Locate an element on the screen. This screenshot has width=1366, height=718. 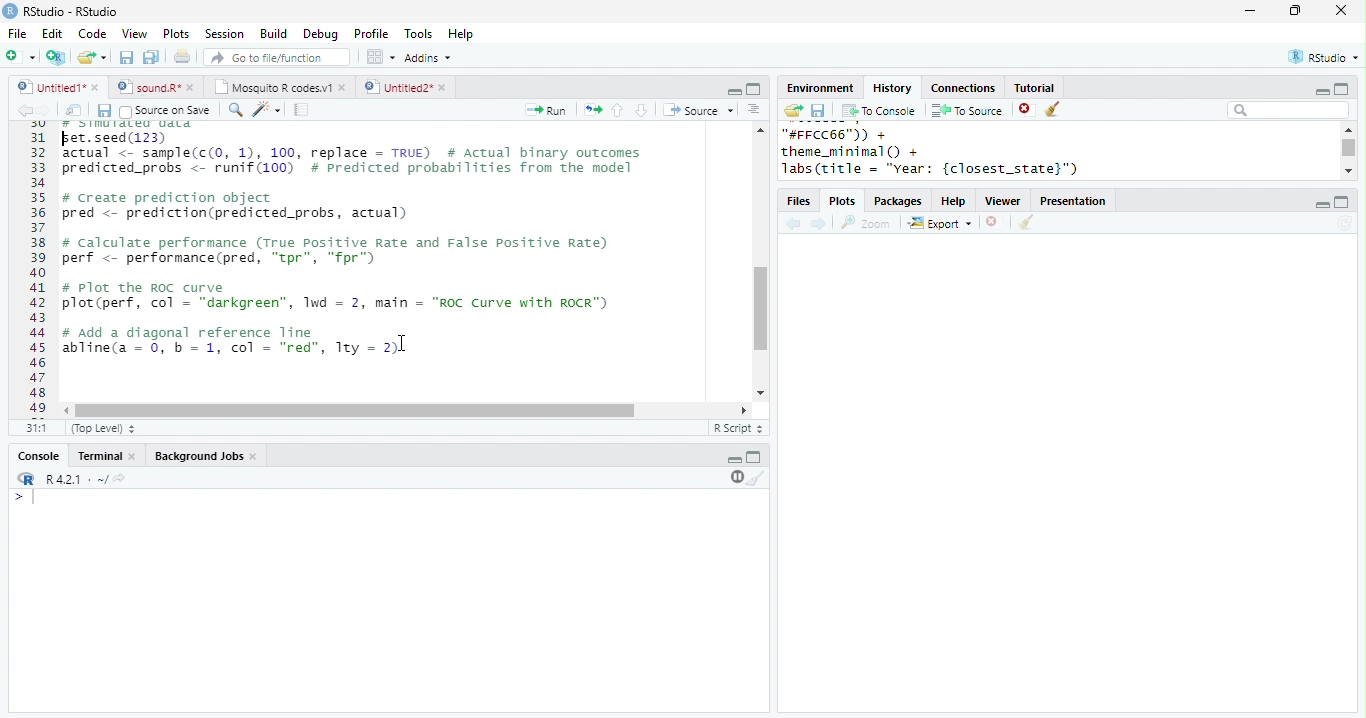
minimize is located at coordinates (1249, 10).